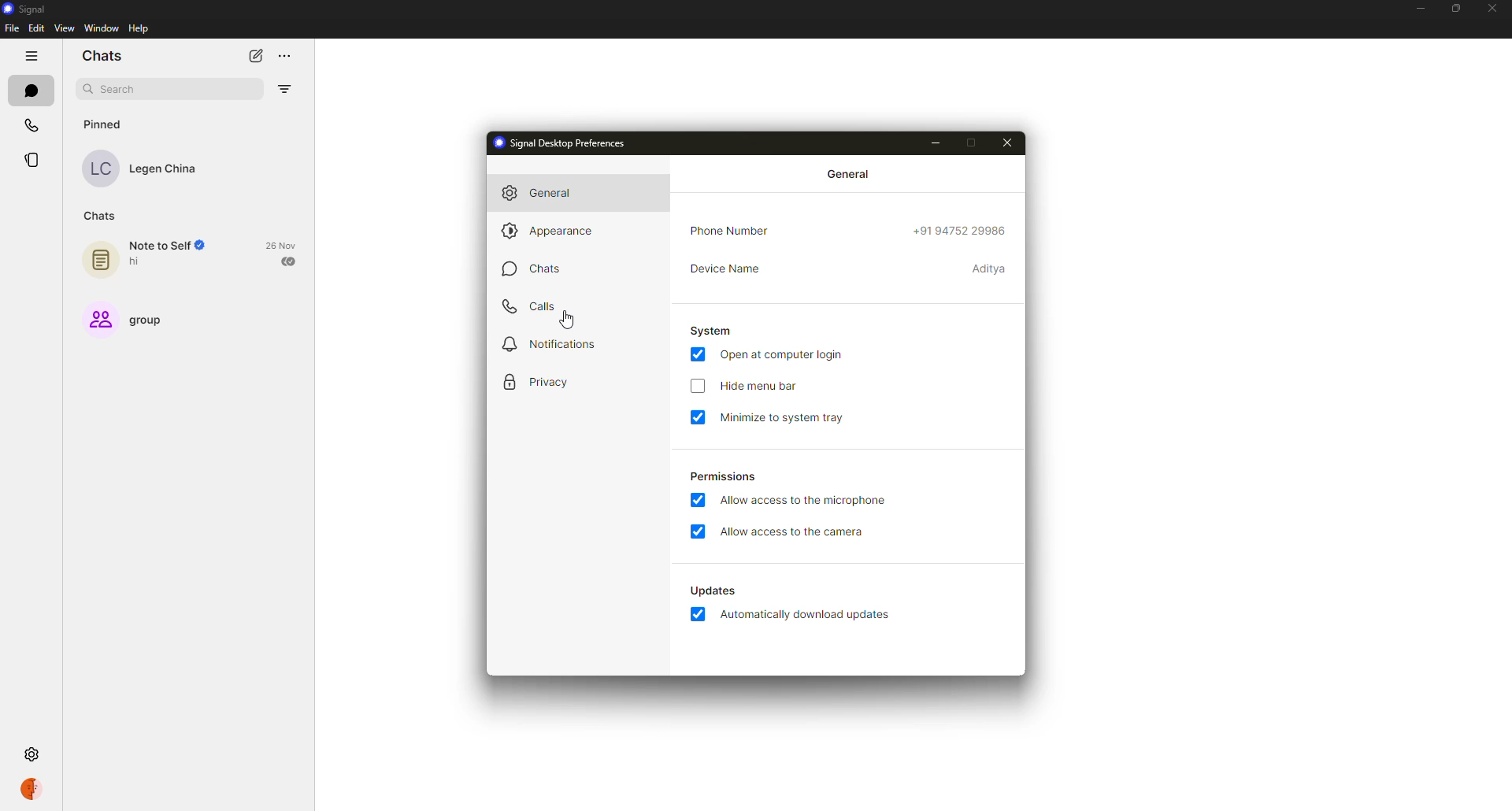 The width and height of the screenshot is (1512, 811). What do you see at coordinates (101, 57) in the screenshot?
I see `chats` at bounding box center [101, 57].